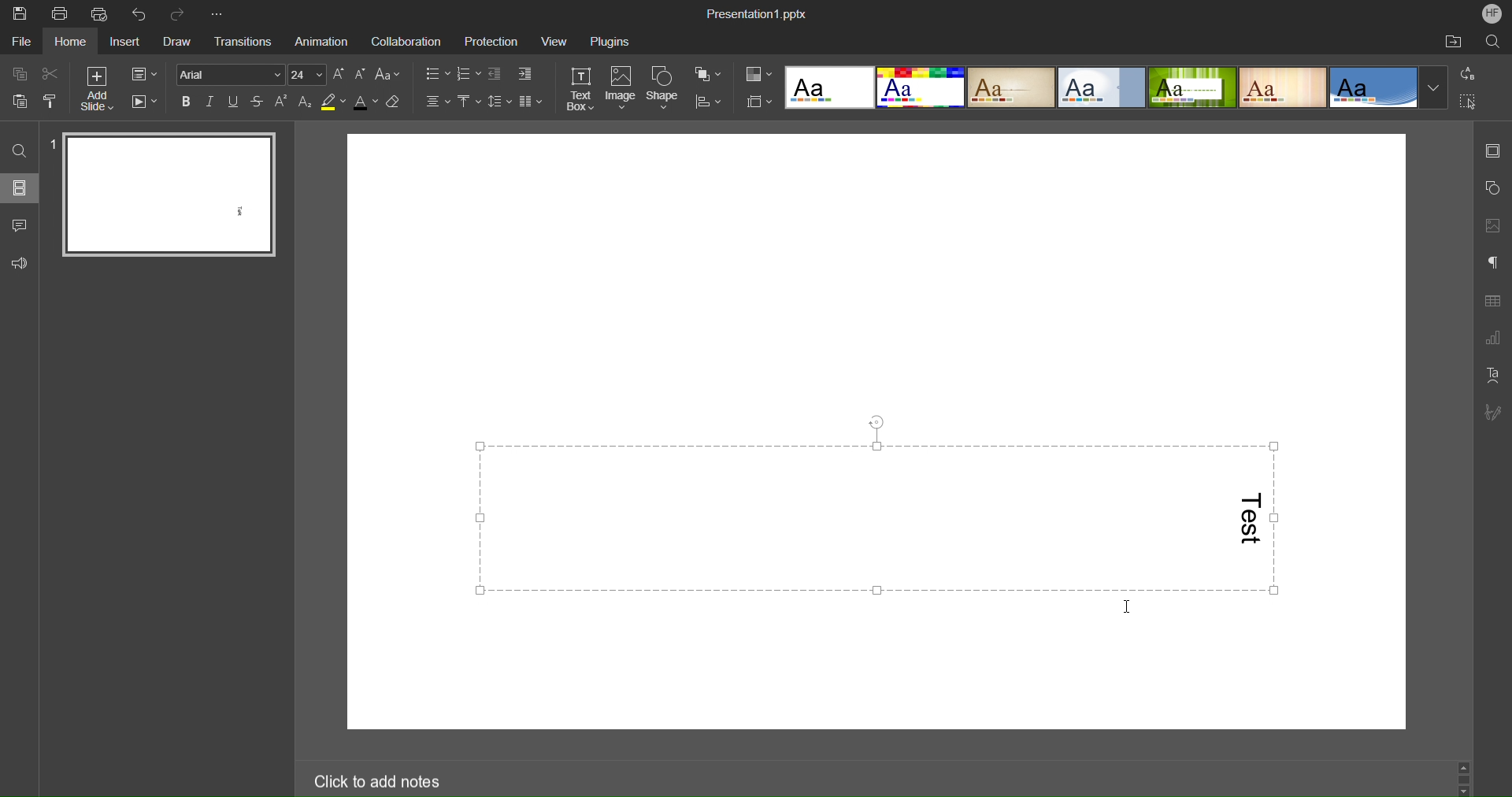 The image size is (1512, 797). I want to click on Home, so click(72, 43).